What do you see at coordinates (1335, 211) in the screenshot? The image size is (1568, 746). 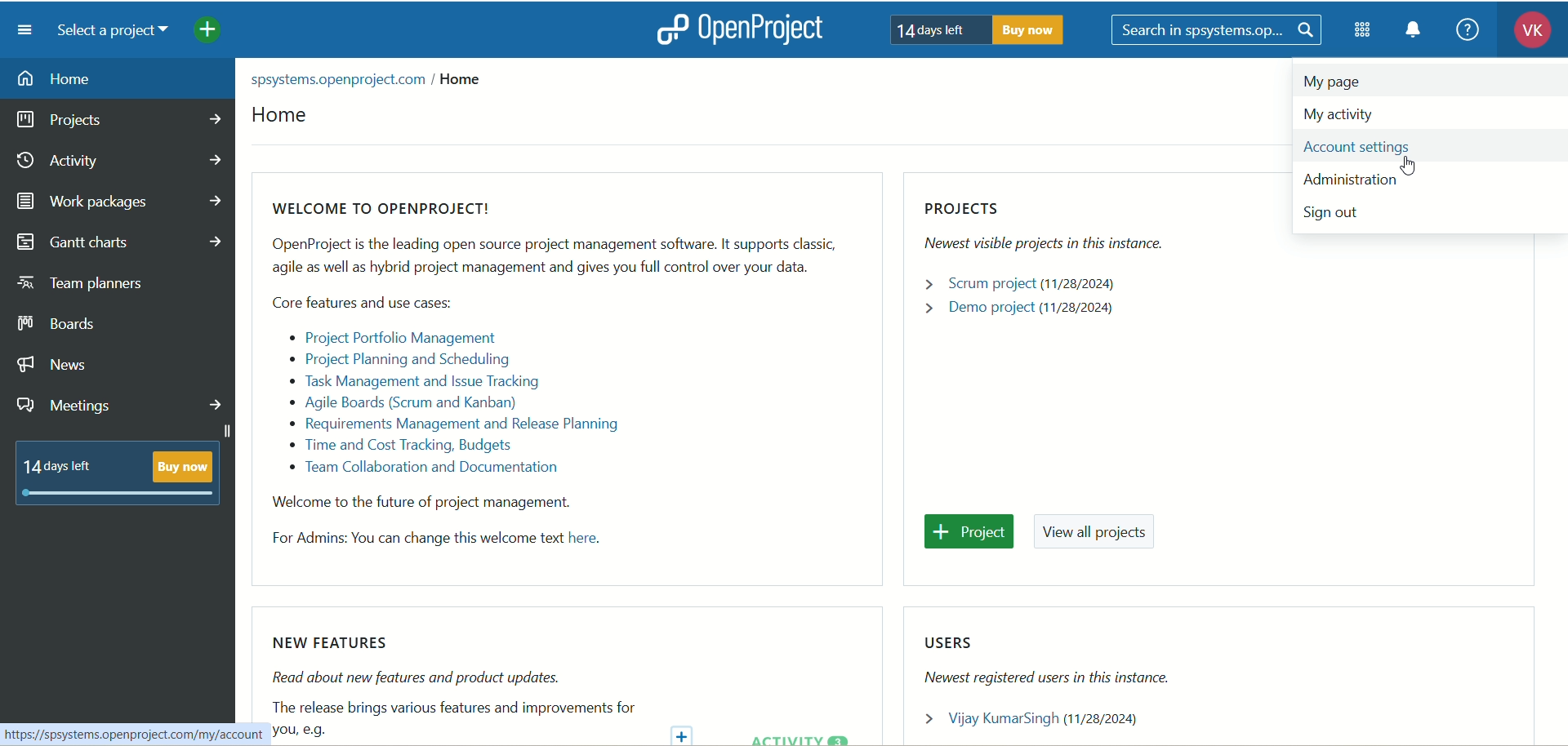 I see `sign out` at bounding box center [1335, 211].